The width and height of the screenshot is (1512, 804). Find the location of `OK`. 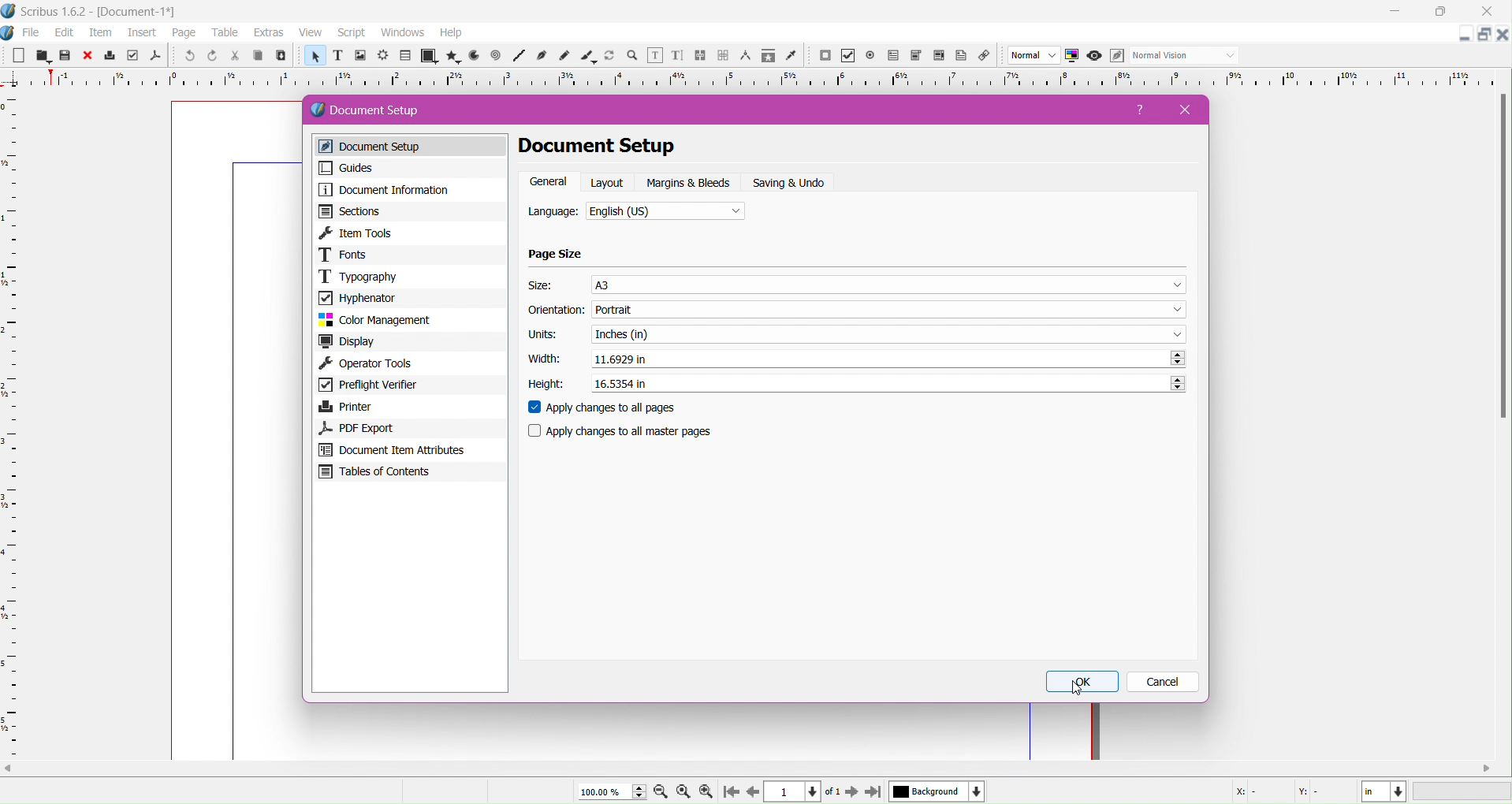

OK is located at coordinates (1085, 682).